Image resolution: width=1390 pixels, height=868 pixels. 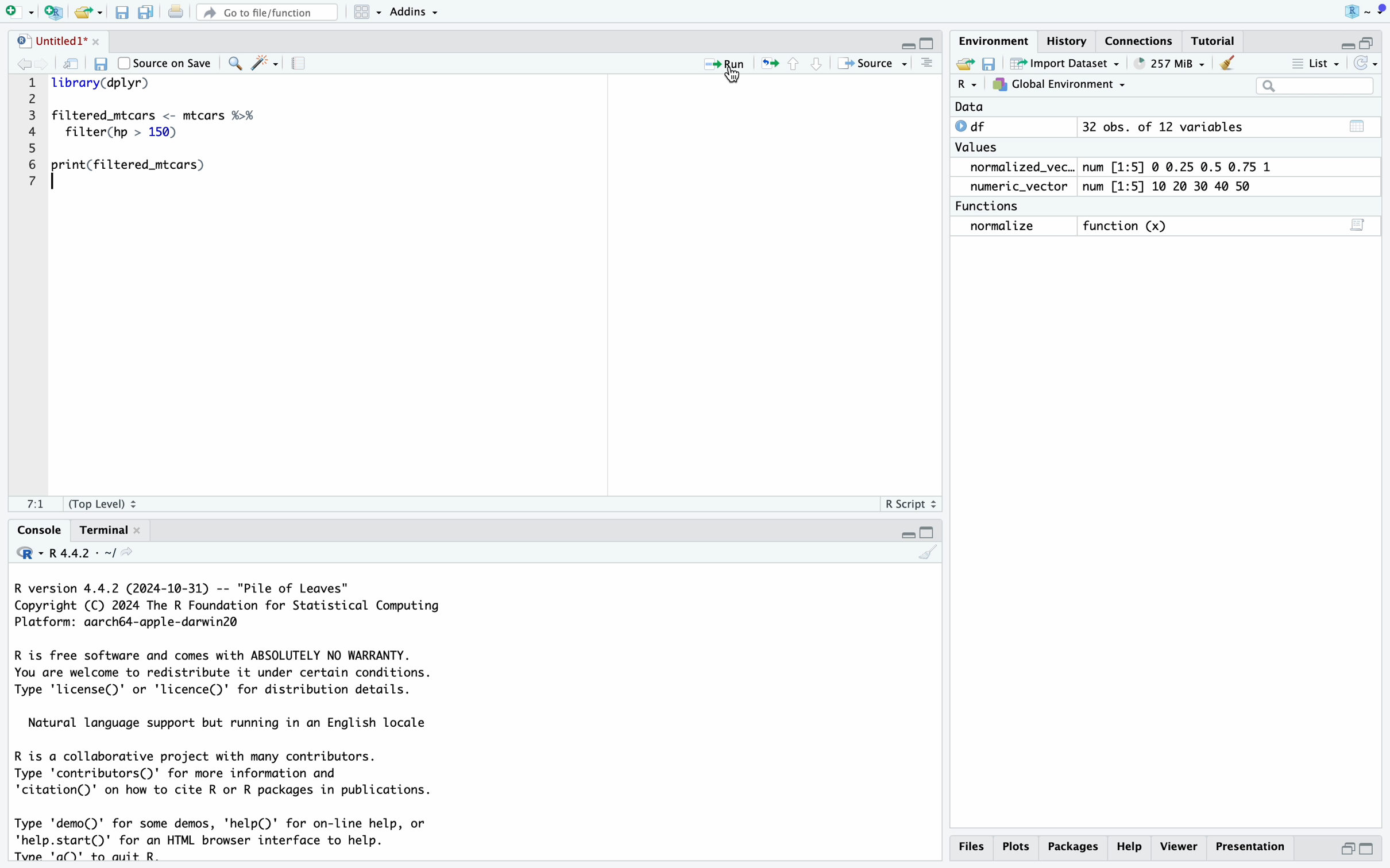 What do you see at coordinates (1368, 43) in the screenshot?
I see `maximize` at bounding box center [1368, 43].